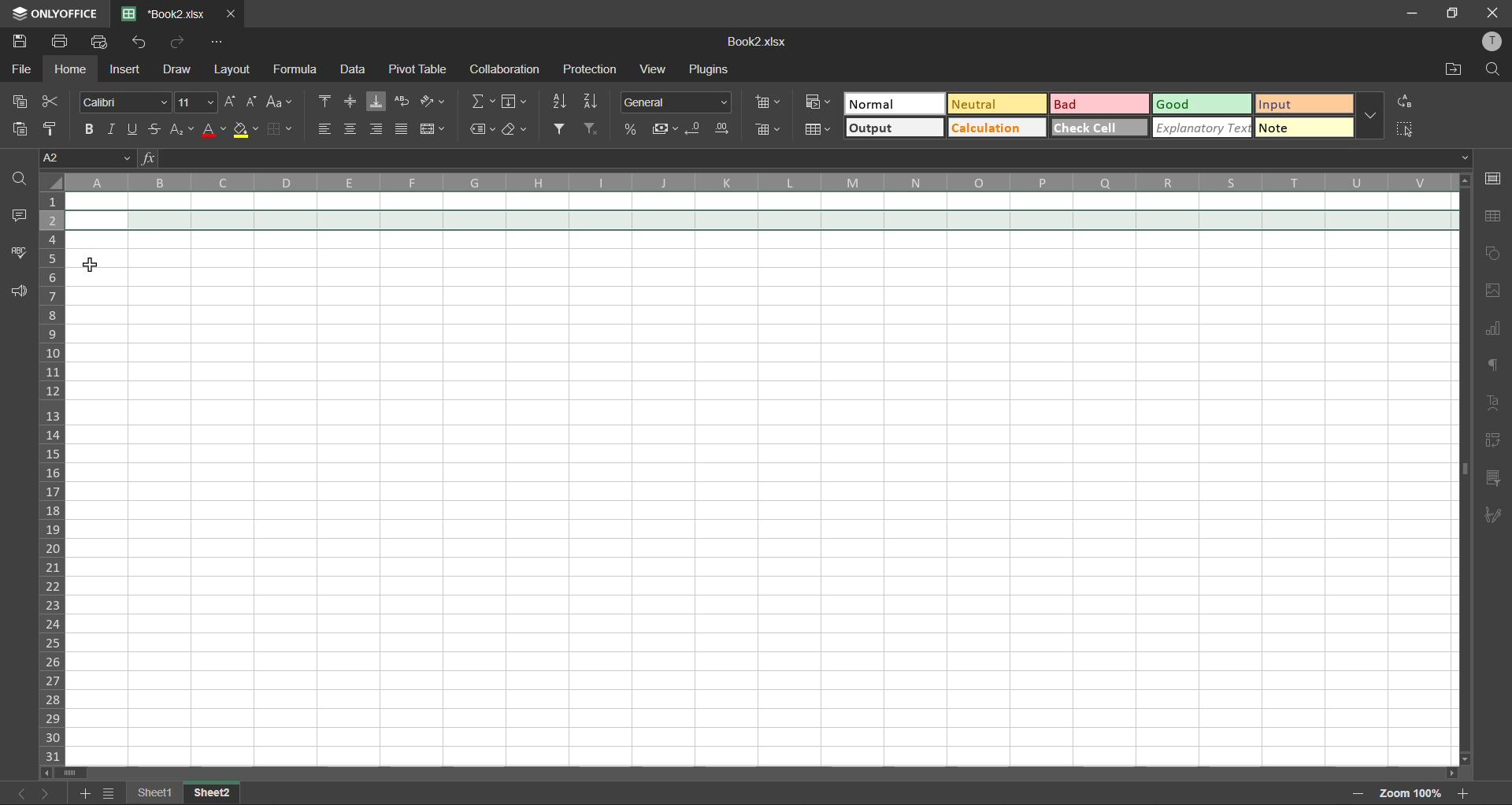 This screenshot has height=805, width=1512. What do you see at coordinates (328, 128) in the screenshot?
I see `align left` at bounding box center [328, 128].